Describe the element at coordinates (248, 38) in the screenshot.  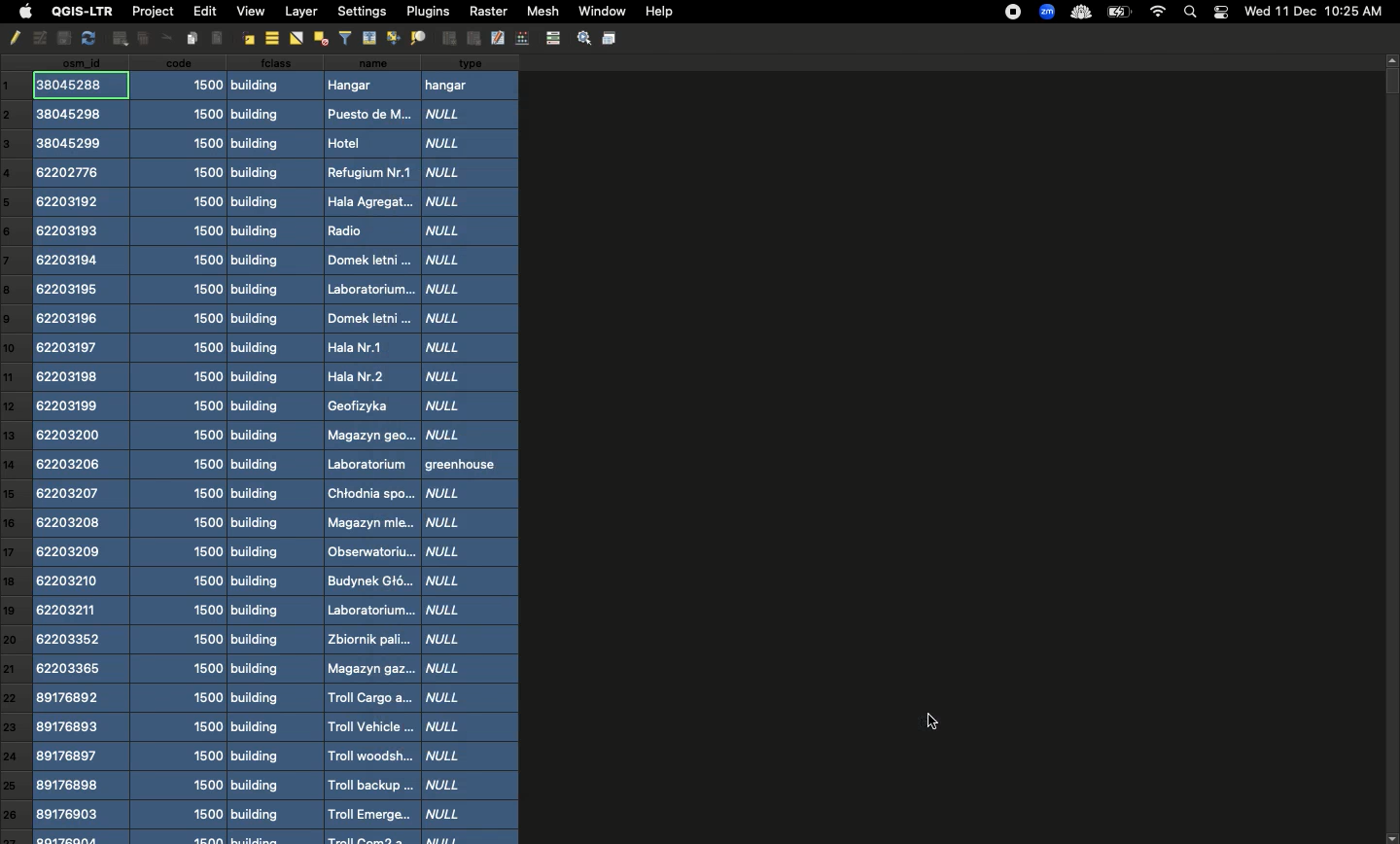
I see `Align right` at that location.